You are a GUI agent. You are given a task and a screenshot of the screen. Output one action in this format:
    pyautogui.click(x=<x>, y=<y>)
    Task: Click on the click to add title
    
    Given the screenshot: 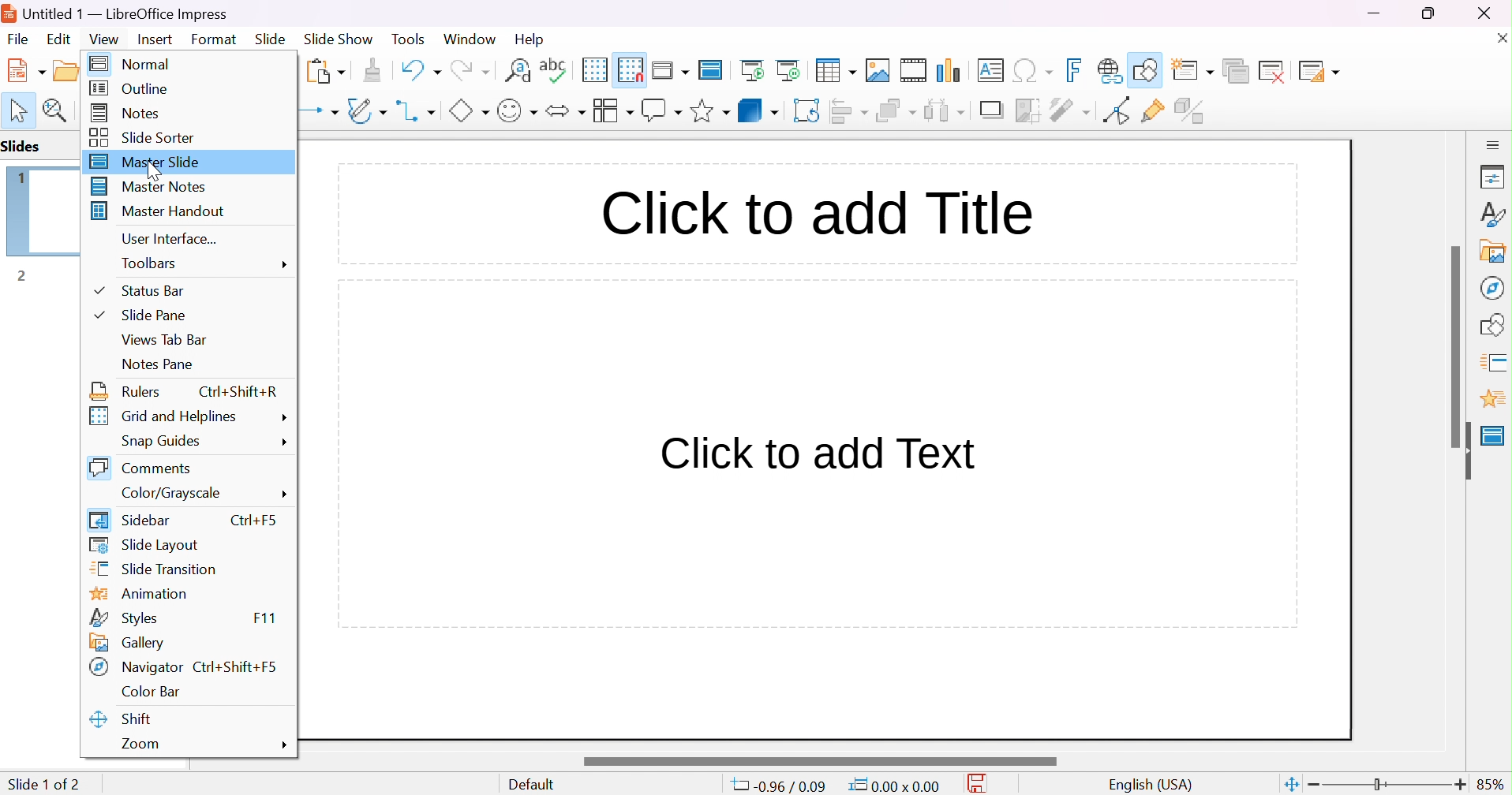 What is the action you would take?
    pyautogui.click(x=816, y=210)
    